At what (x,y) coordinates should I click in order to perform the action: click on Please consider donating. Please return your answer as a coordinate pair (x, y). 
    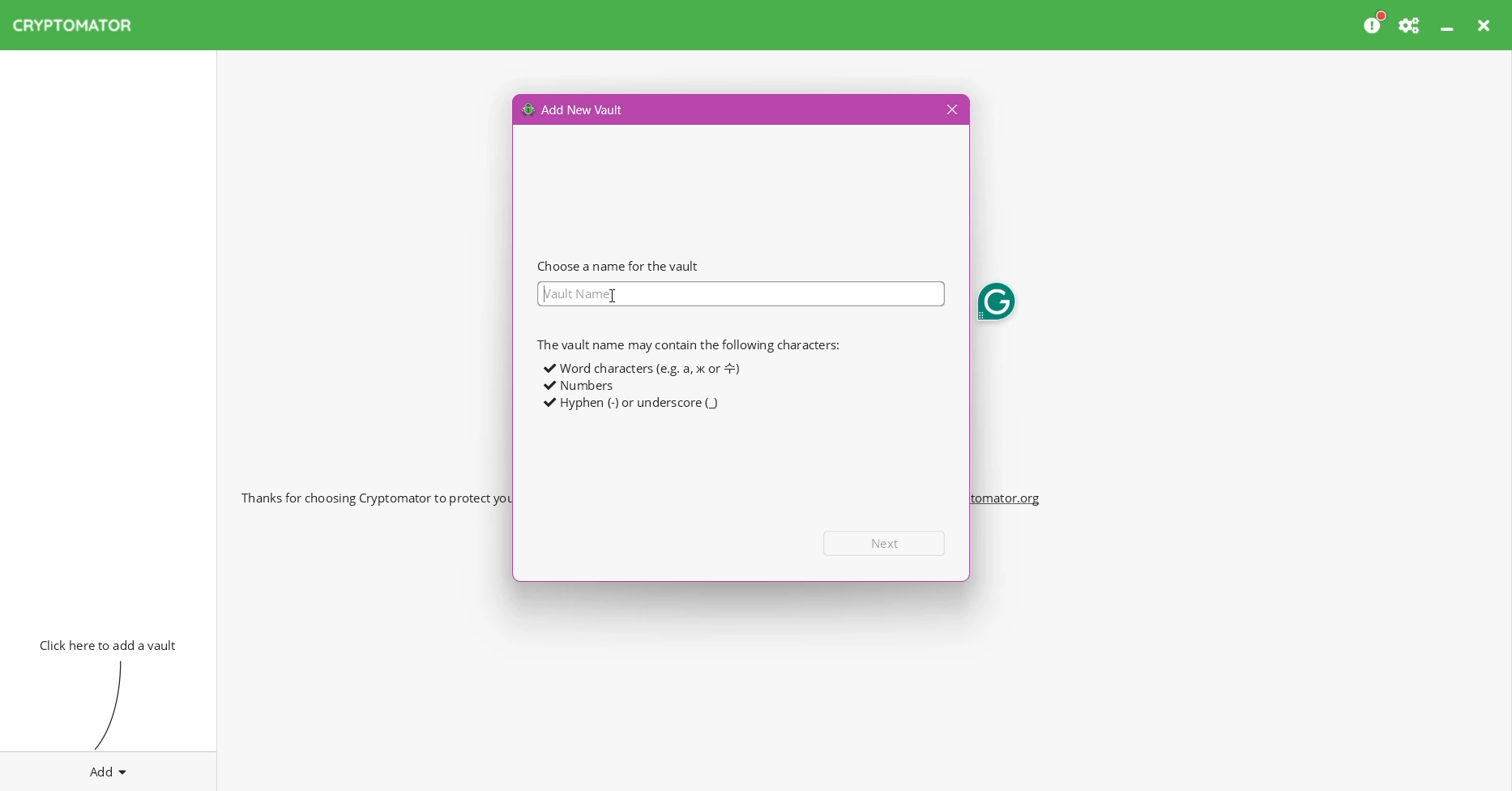
    Looking at the image, I should click on (1375, 24).